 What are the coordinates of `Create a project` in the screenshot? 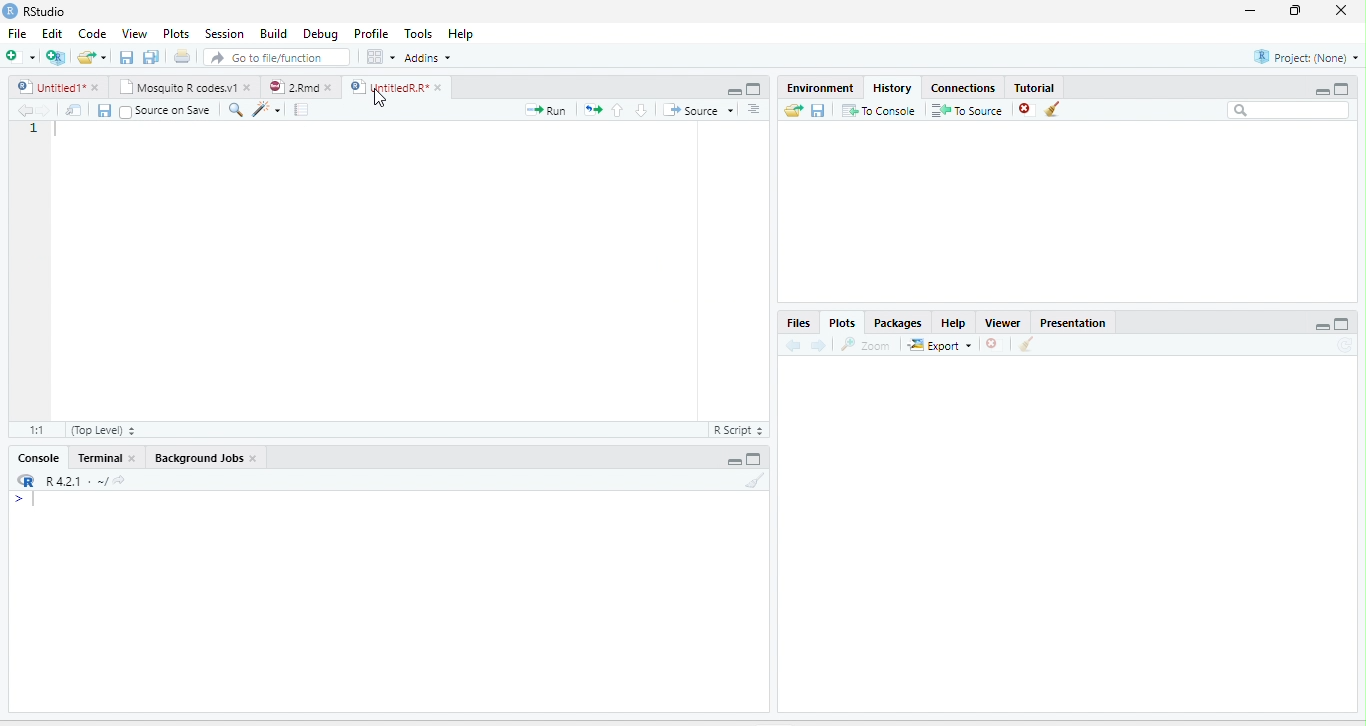 It's located at (55, 56).